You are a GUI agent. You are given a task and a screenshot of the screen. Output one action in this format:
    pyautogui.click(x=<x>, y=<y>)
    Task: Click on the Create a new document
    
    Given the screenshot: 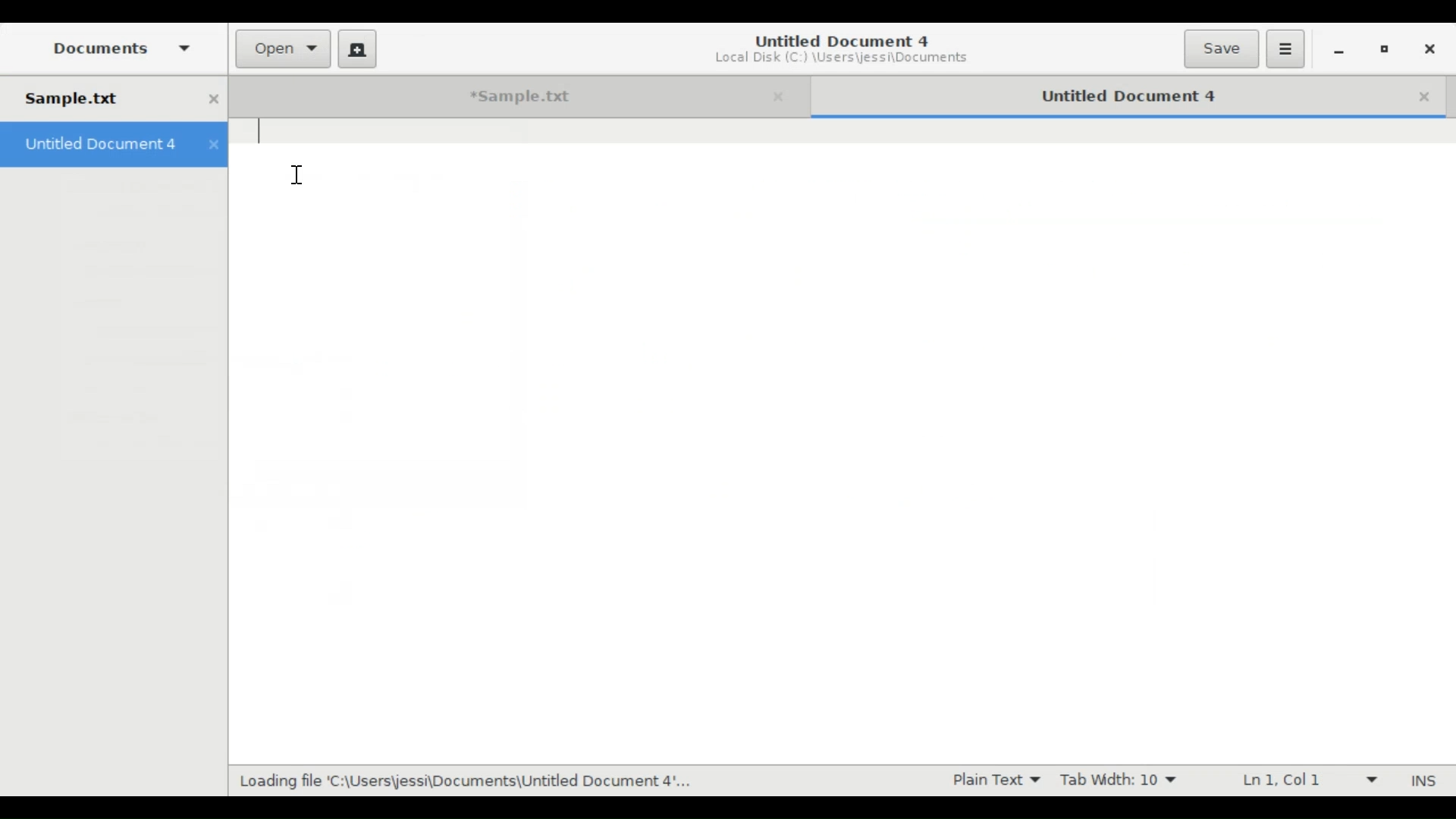 What is the action you would take?
    pyautogui.click(x=358, y=48)
    